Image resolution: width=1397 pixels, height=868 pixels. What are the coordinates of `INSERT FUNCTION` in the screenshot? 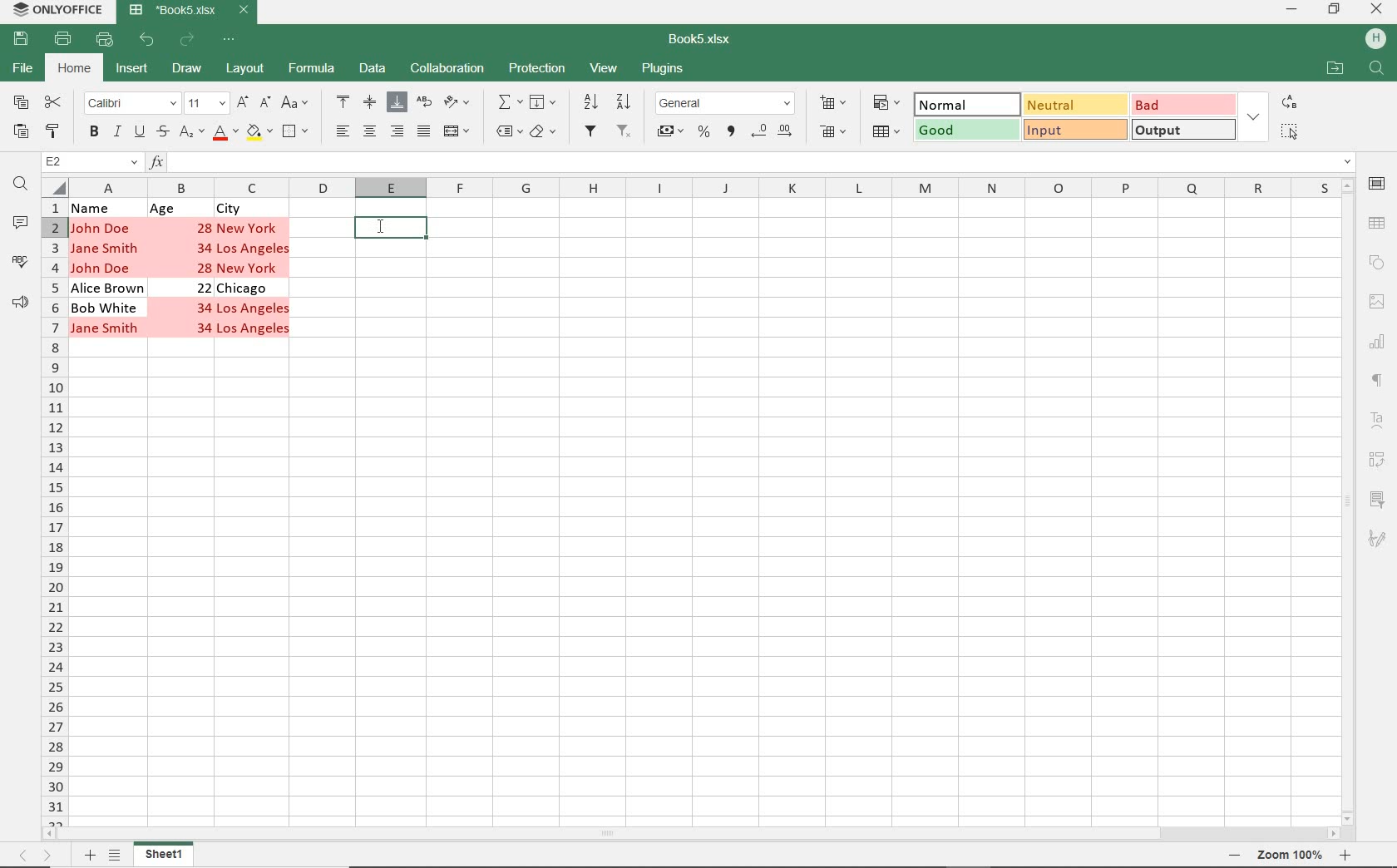 It's located at (508, 101).